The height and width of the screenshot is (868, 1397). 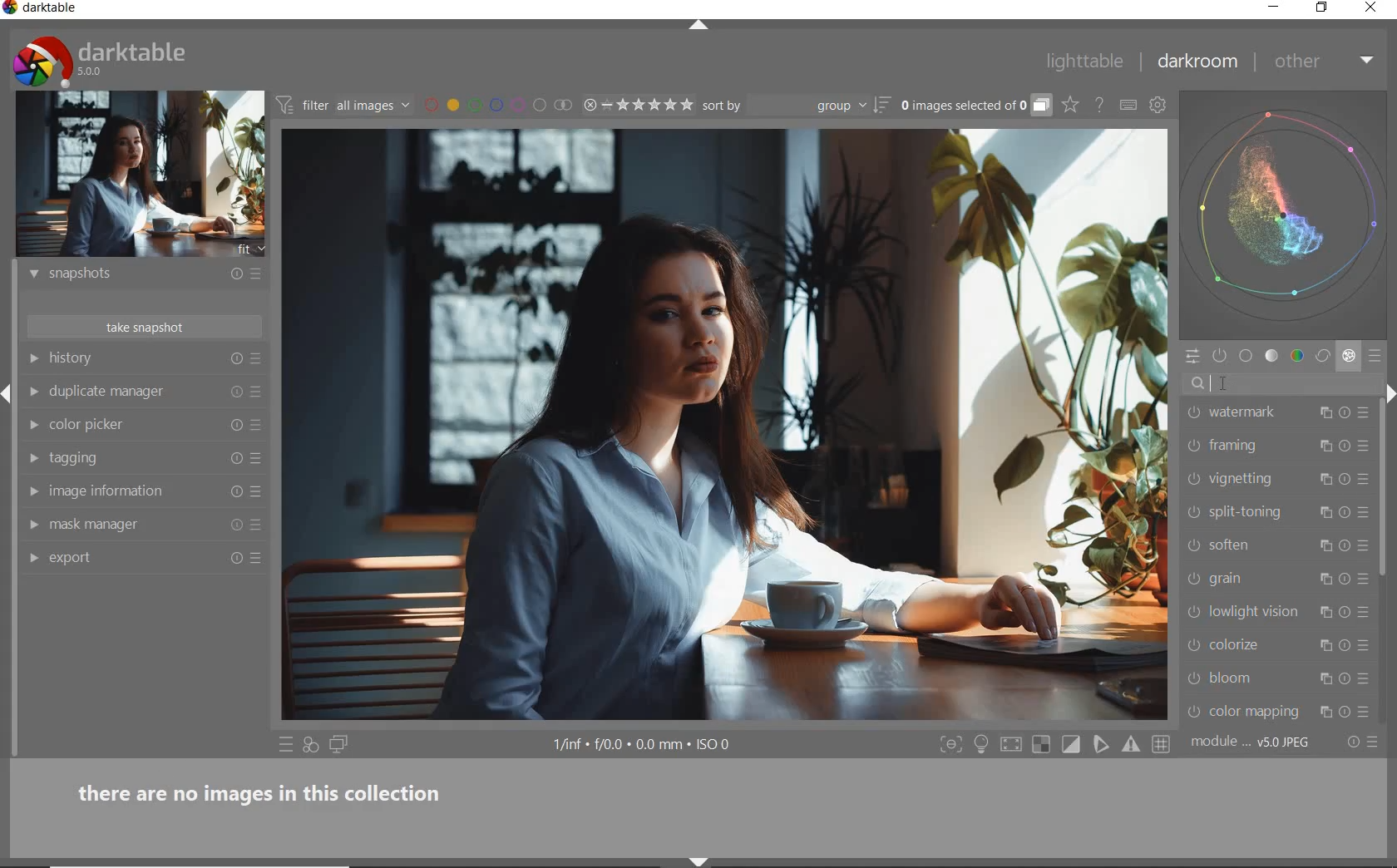 I want to click on show module, so click(x=33, y=392).